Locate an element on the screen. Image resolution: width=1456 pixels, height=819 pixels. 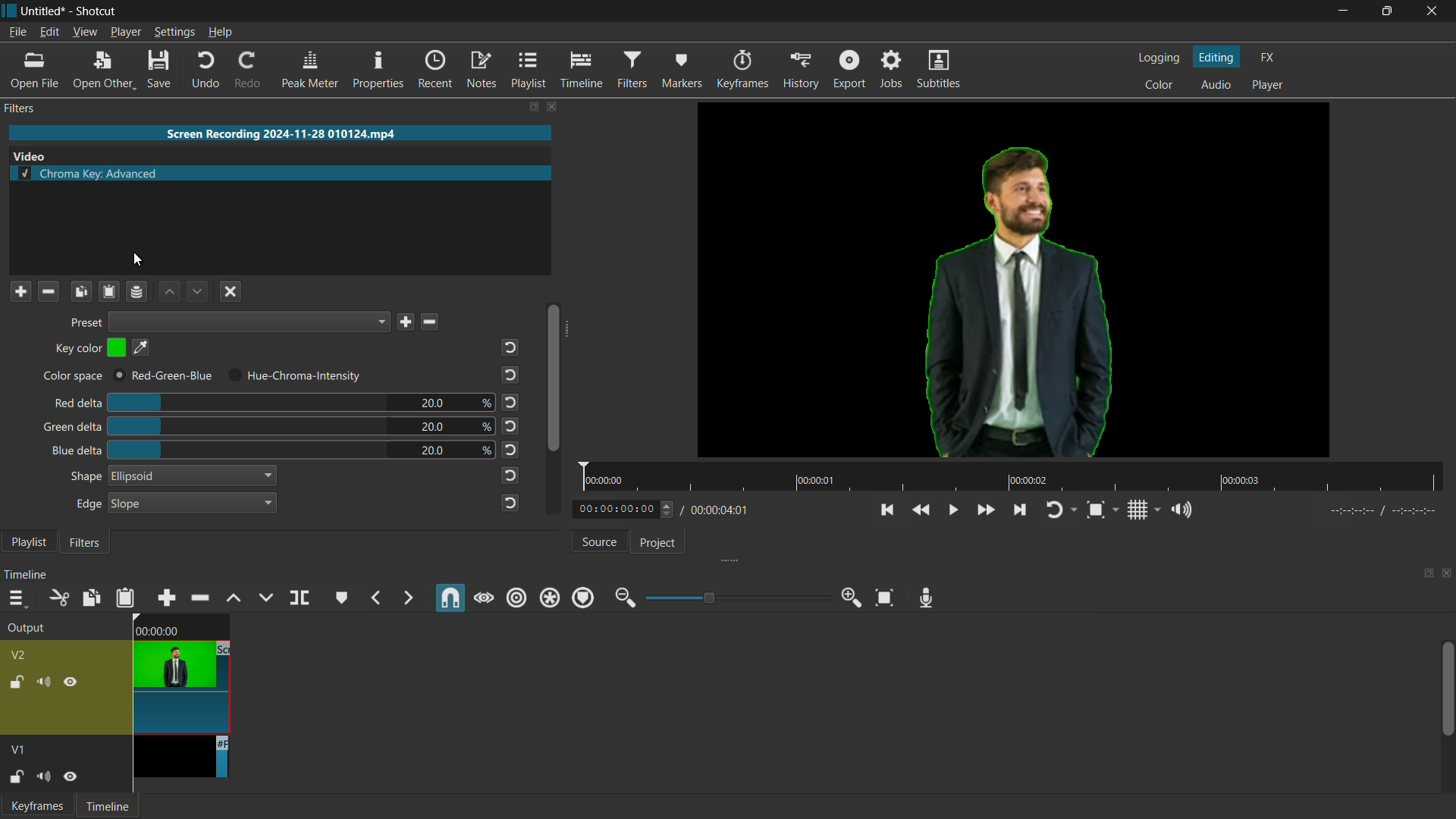
audio is located at coordinates (1216, 86).